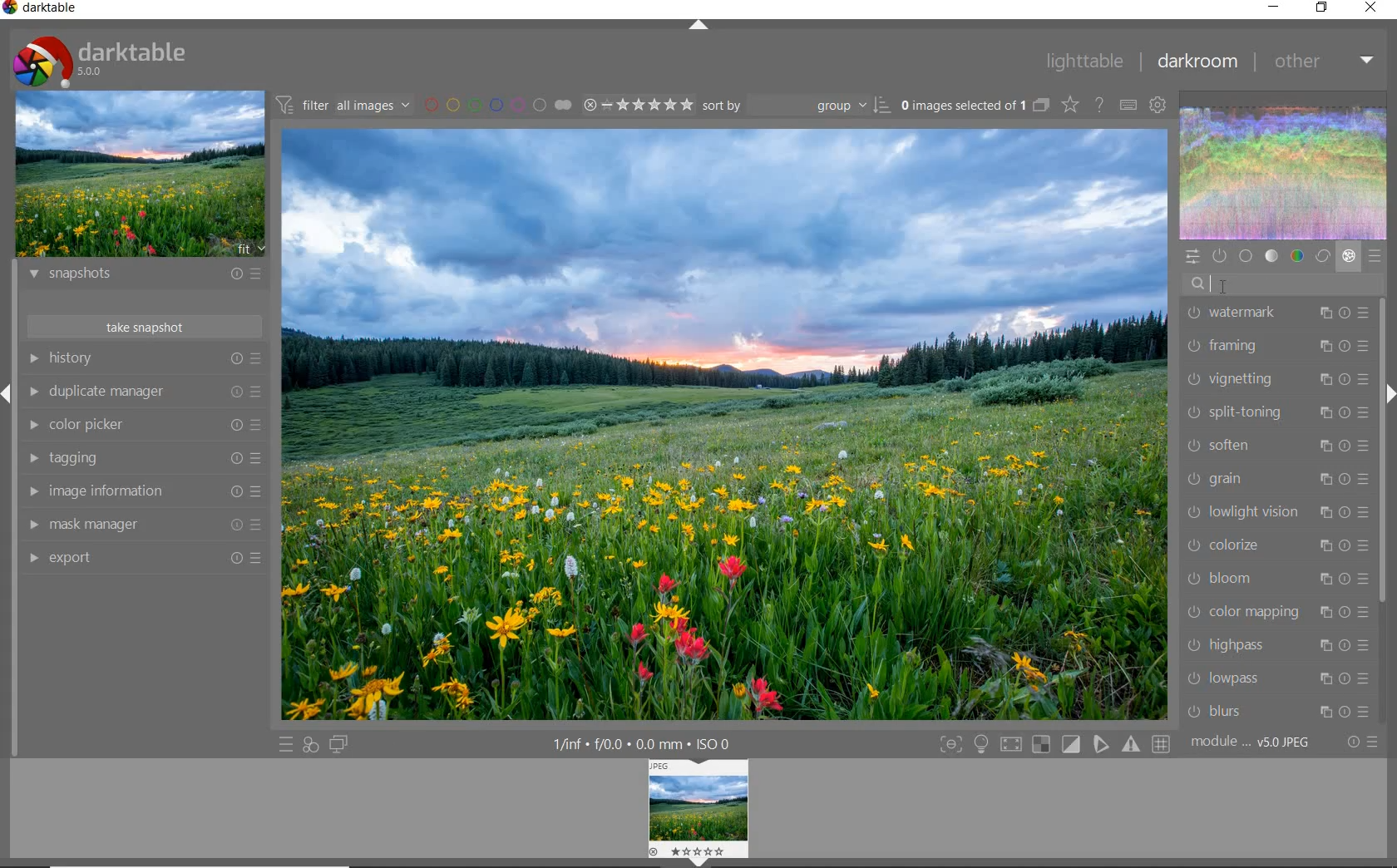 The image size is (1397, 868). Describe the element at coordinates (1129, 106) in the screenshot. I see `set keyboard shortcuts` at that location.